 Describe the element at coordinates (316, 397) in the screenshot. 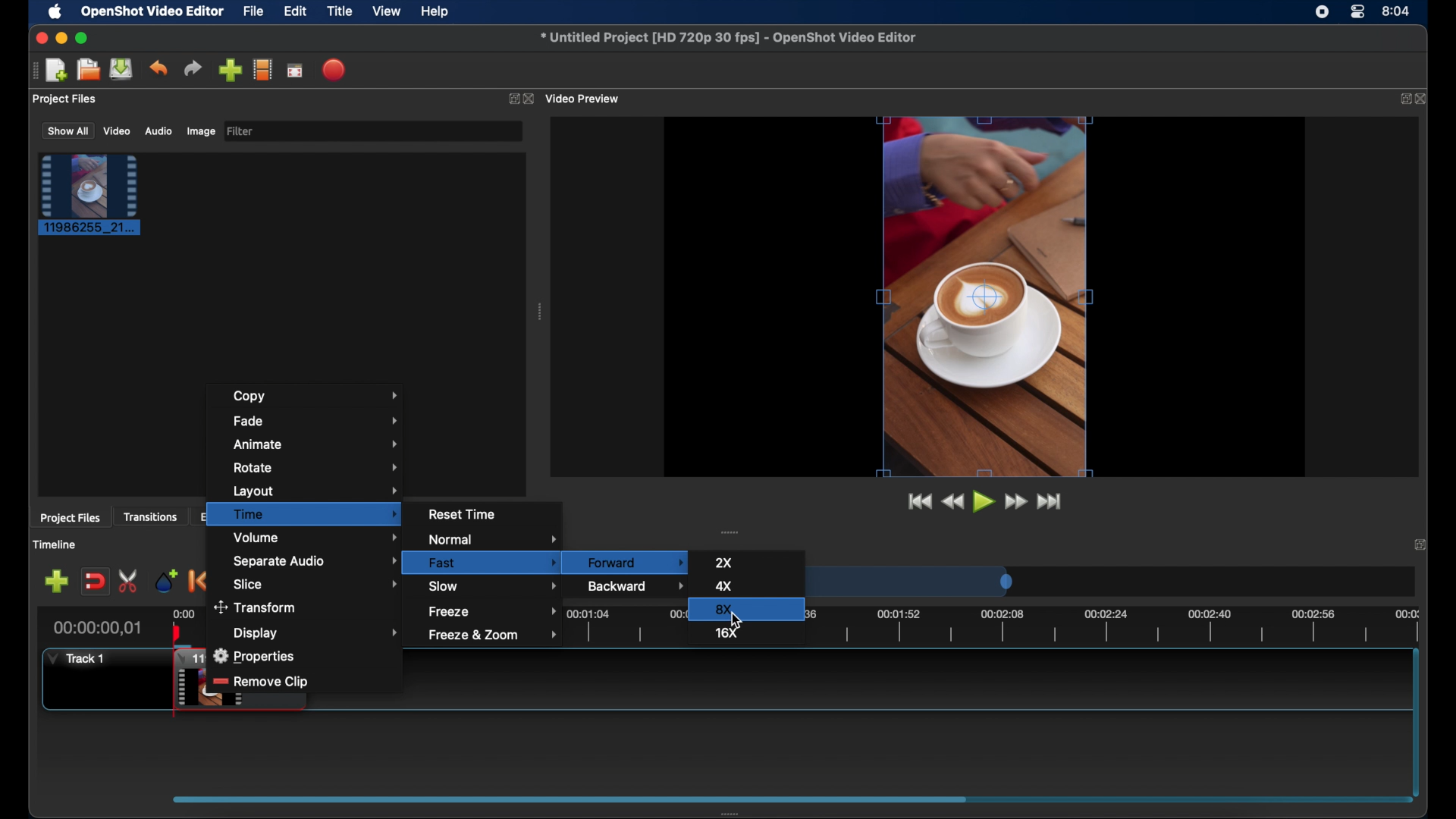

I see `copy menu` at that location.